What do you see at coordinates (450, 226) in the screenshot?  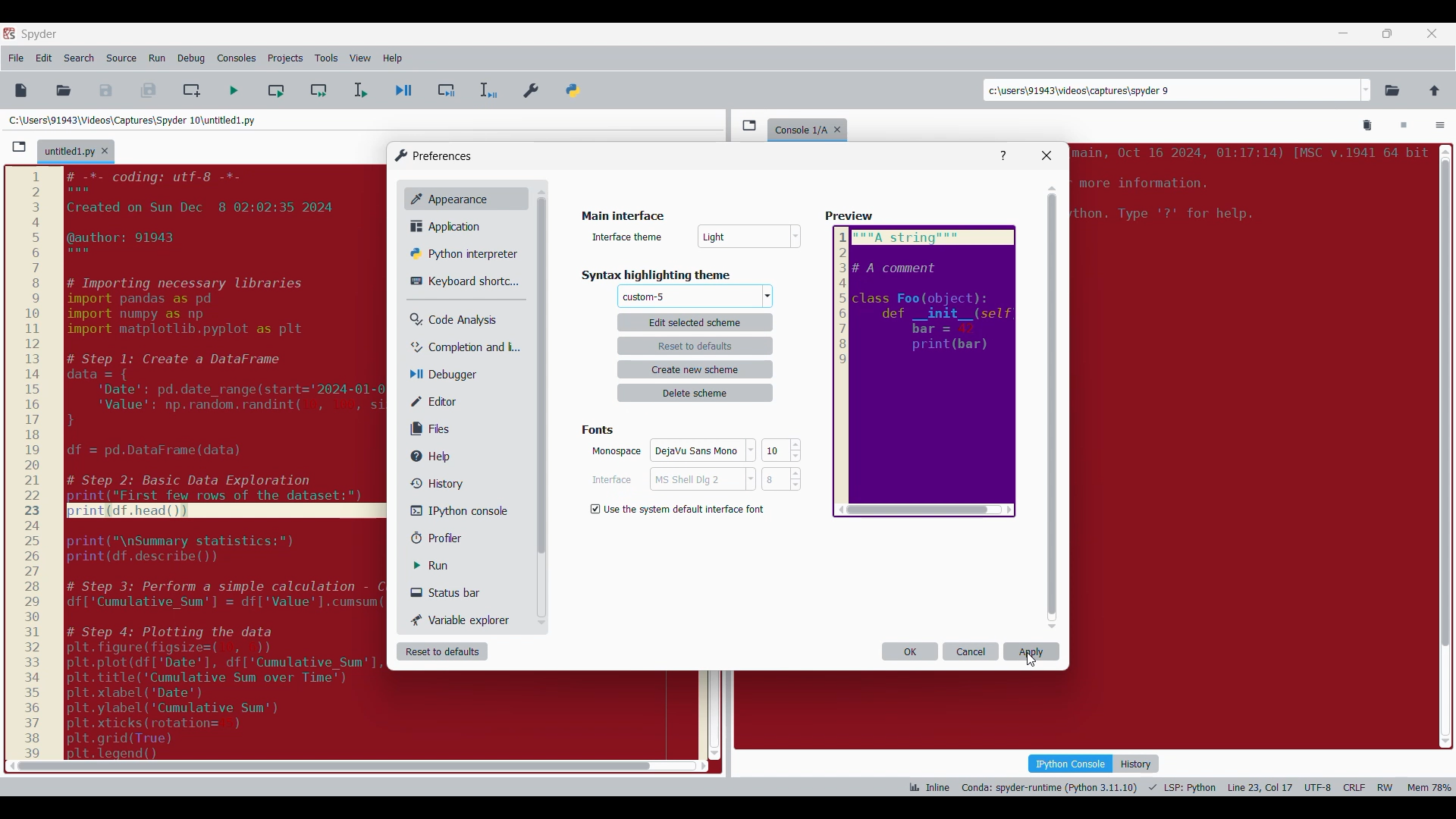 I see `Application` at bounding box center [450, 226].